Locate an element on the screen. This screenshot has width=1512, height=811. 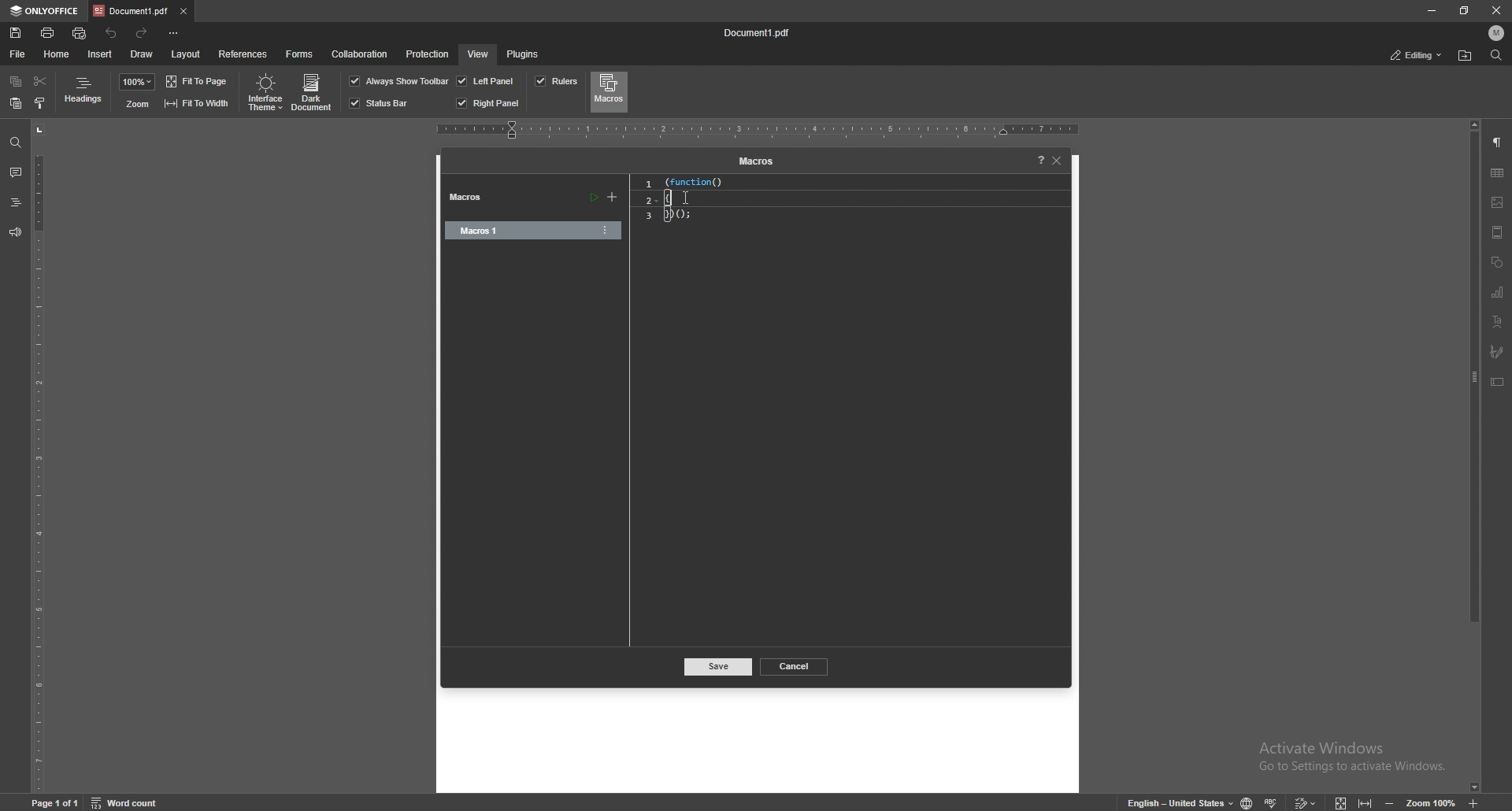
close is located at coordinates (1499, 10).